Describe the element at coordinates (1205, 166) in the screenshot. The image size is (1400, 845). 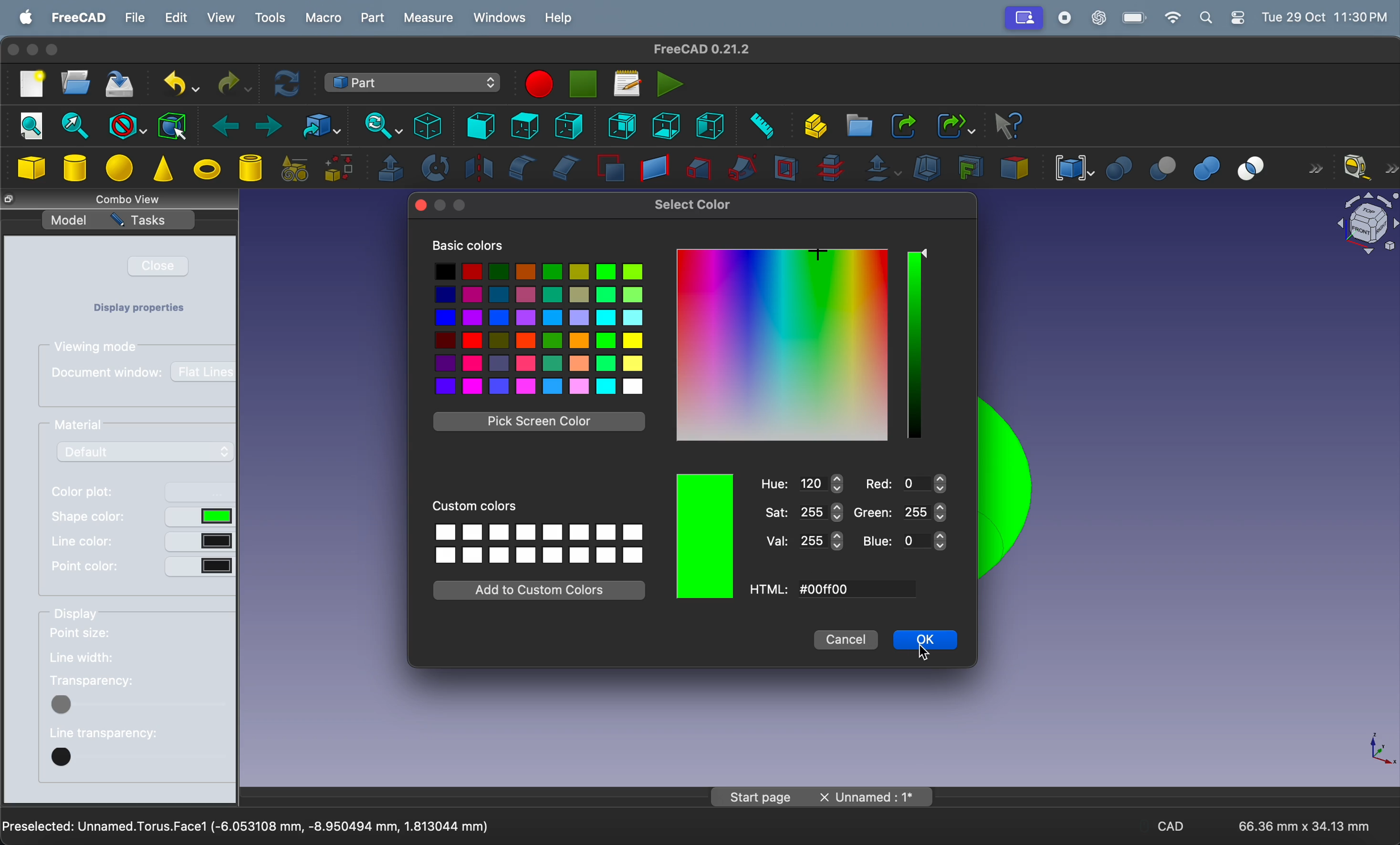
I see `union` at that location.